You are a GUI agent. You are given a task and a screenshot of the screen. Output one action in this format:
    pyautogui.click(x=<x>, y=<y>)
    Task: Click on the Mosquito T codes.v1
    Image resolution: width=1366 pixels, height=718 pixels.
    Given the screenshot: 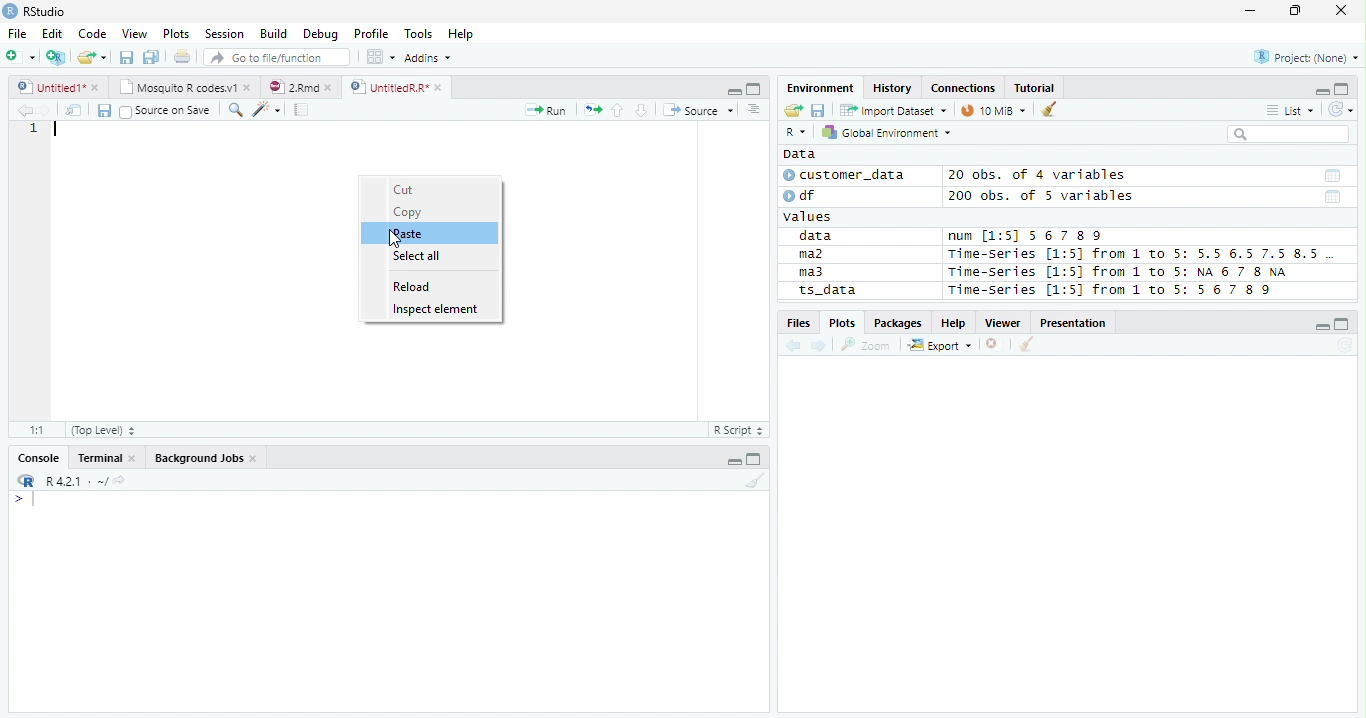 What is the action you would take?
    pyautogui.click(x=185, y=88)
    